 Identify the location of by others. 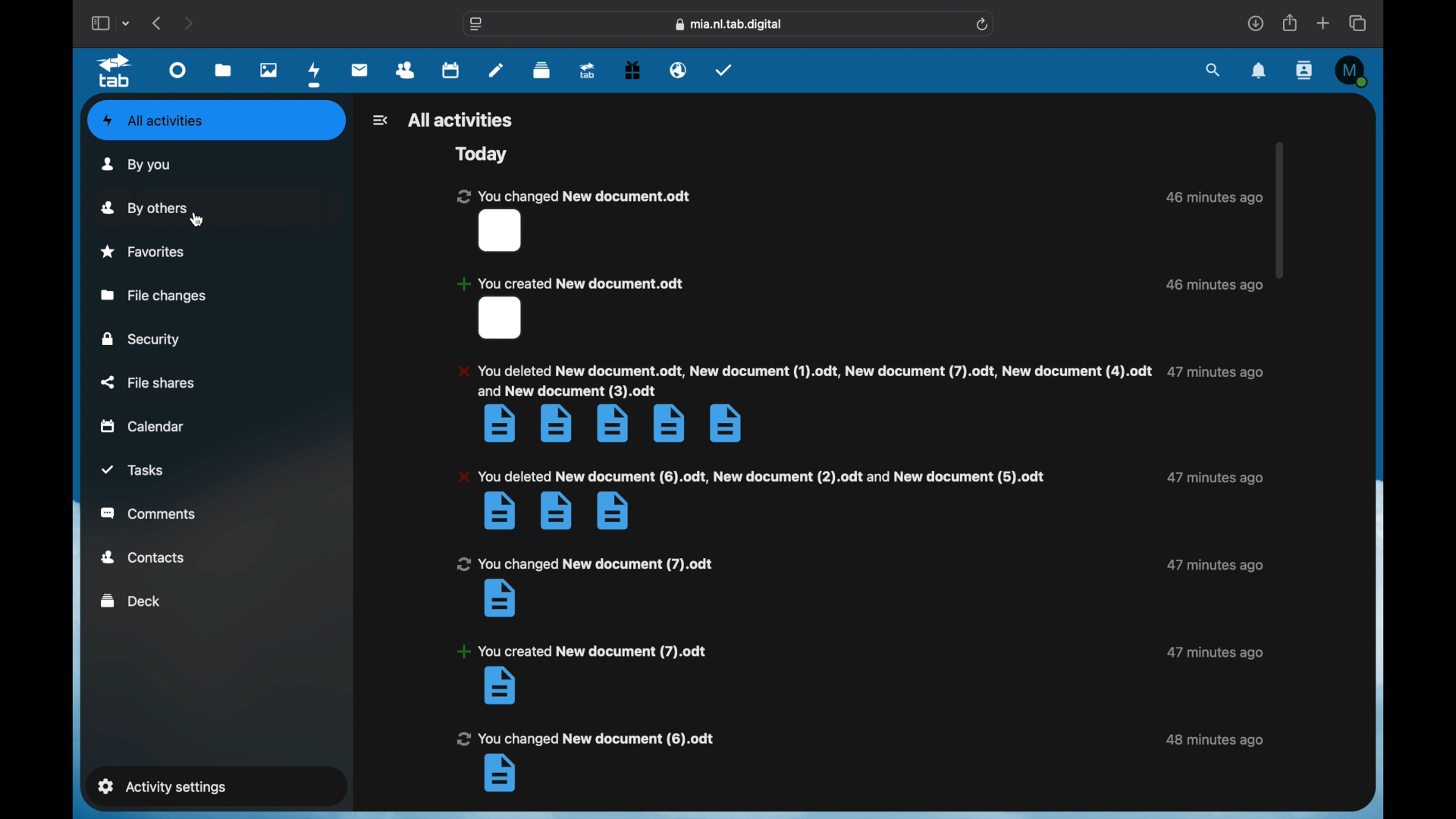
(145, 208).